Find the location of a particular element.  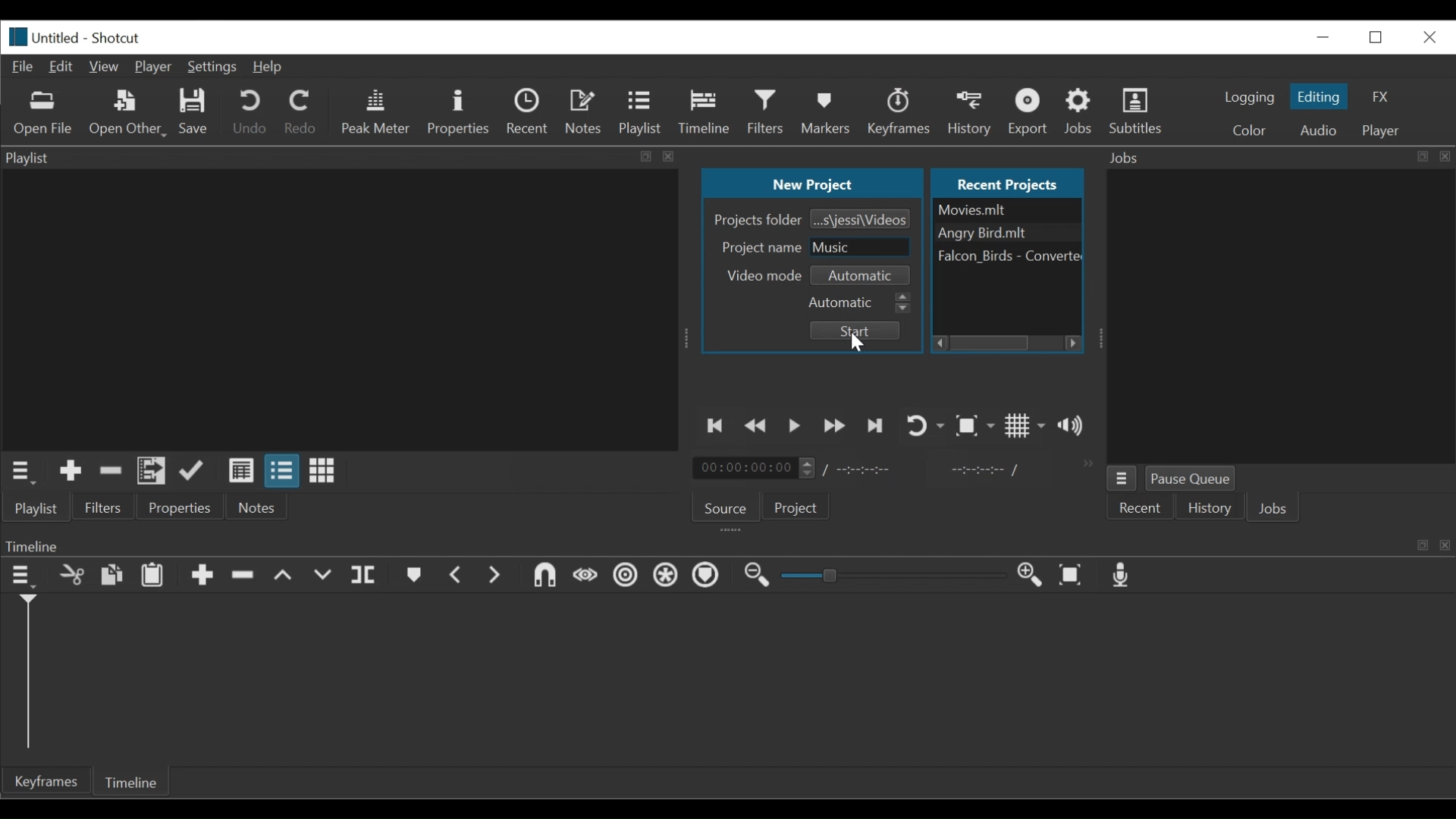

Video mode is located at coordinates (762, 277).